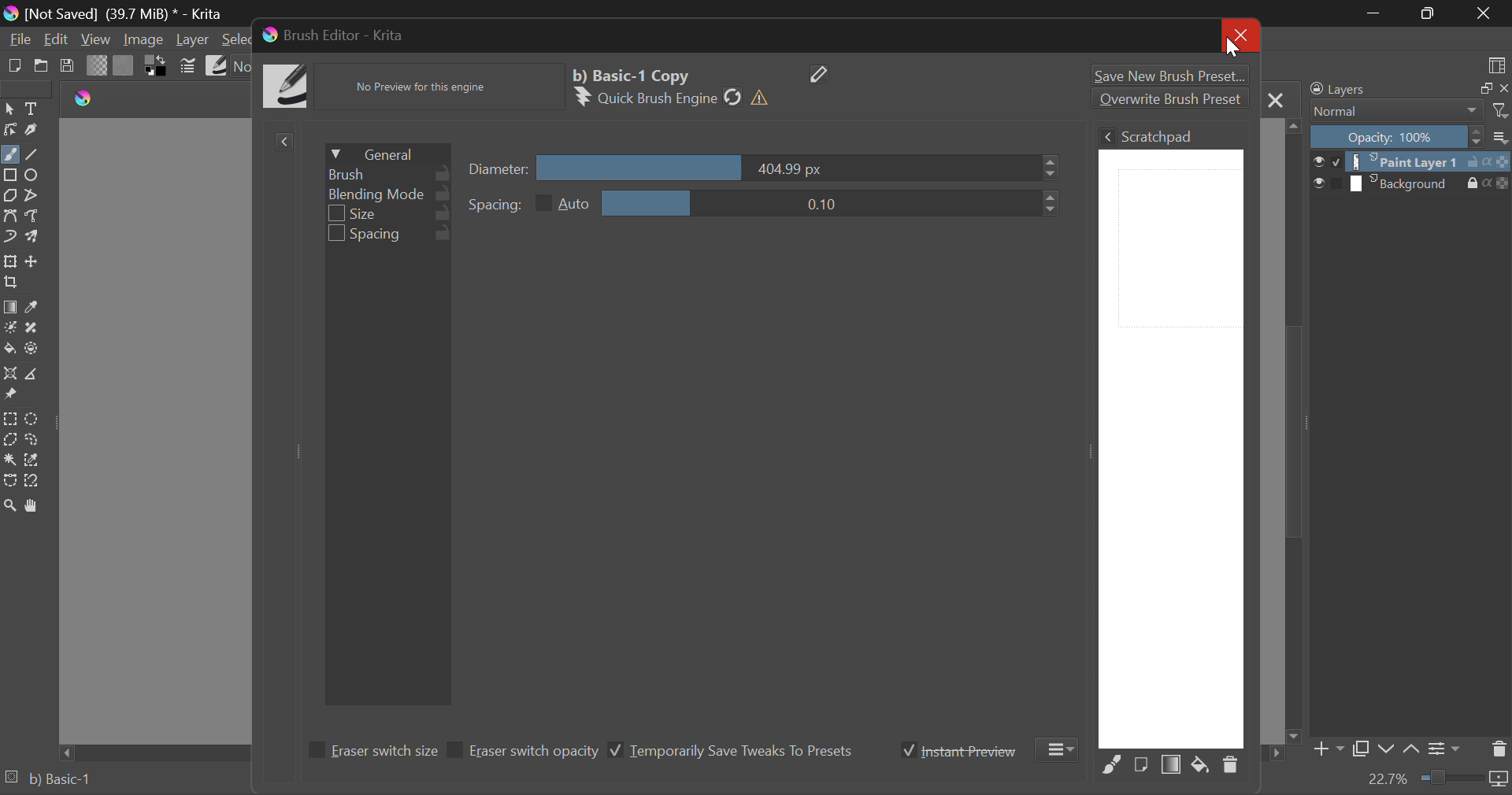 This screenshot has width=1512, height=795. I want to click on Fill area with current Image, so click(1140, 765).